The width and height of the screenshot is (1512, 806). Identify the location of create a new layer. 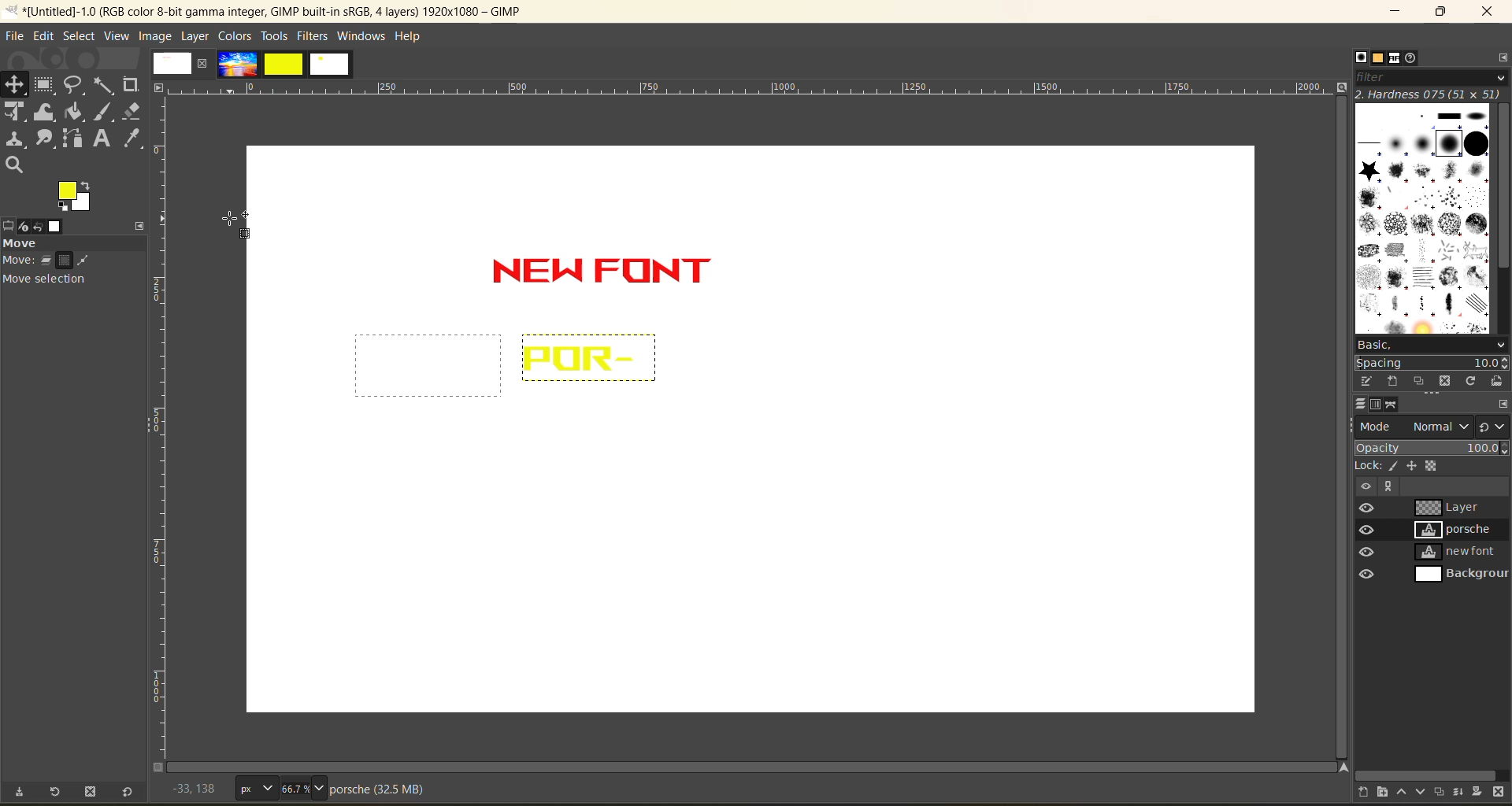
(1357, 790).